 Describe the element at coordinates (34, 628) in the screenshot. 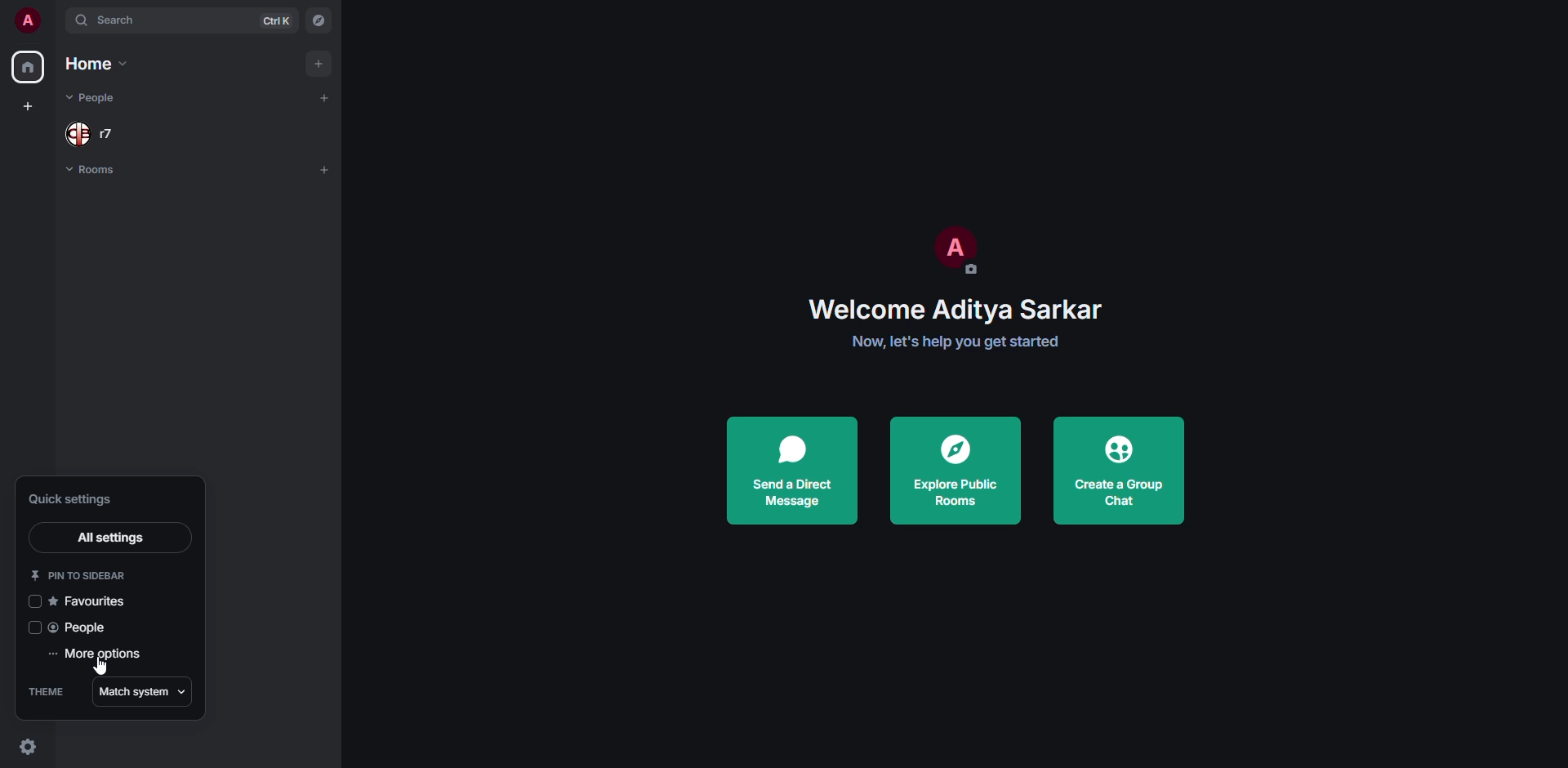

I see `click to enable` at that location.